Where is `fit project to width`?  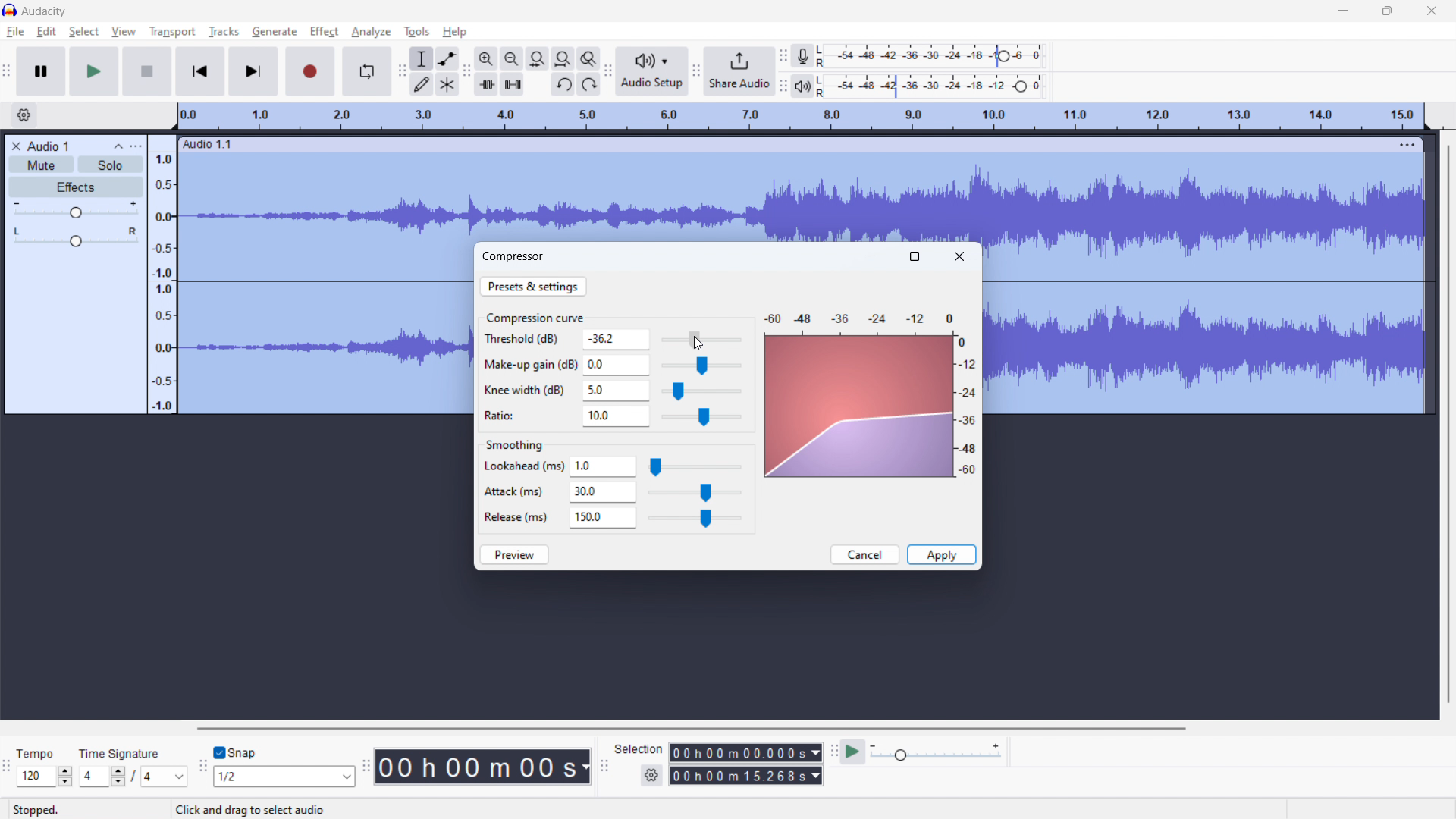
fit project to width is located at coordinates (563, 58).